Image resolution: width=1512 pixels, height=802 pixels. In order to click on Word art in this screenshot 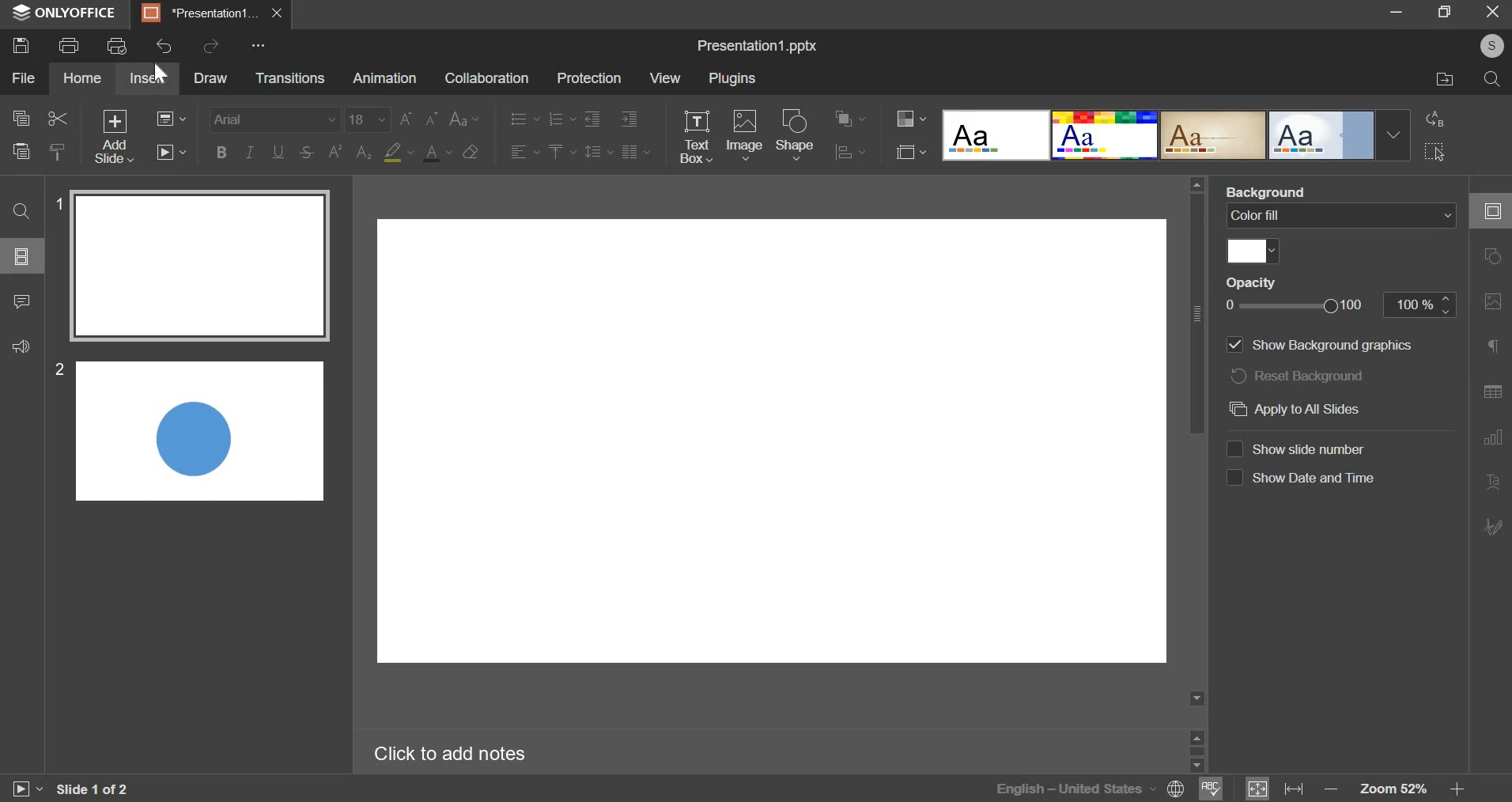, I will do `click(1323, 135)`.